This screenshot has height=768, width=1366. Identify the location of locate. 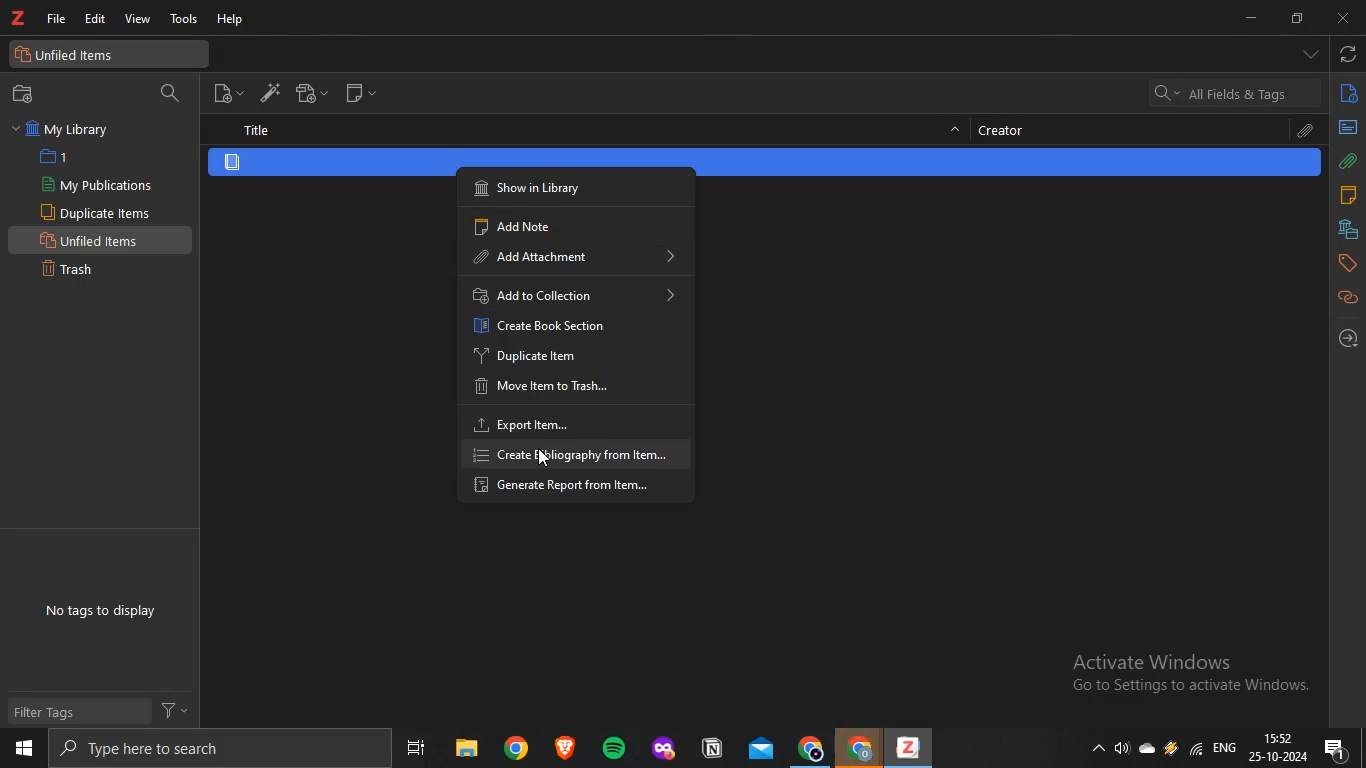
(1347, 338).